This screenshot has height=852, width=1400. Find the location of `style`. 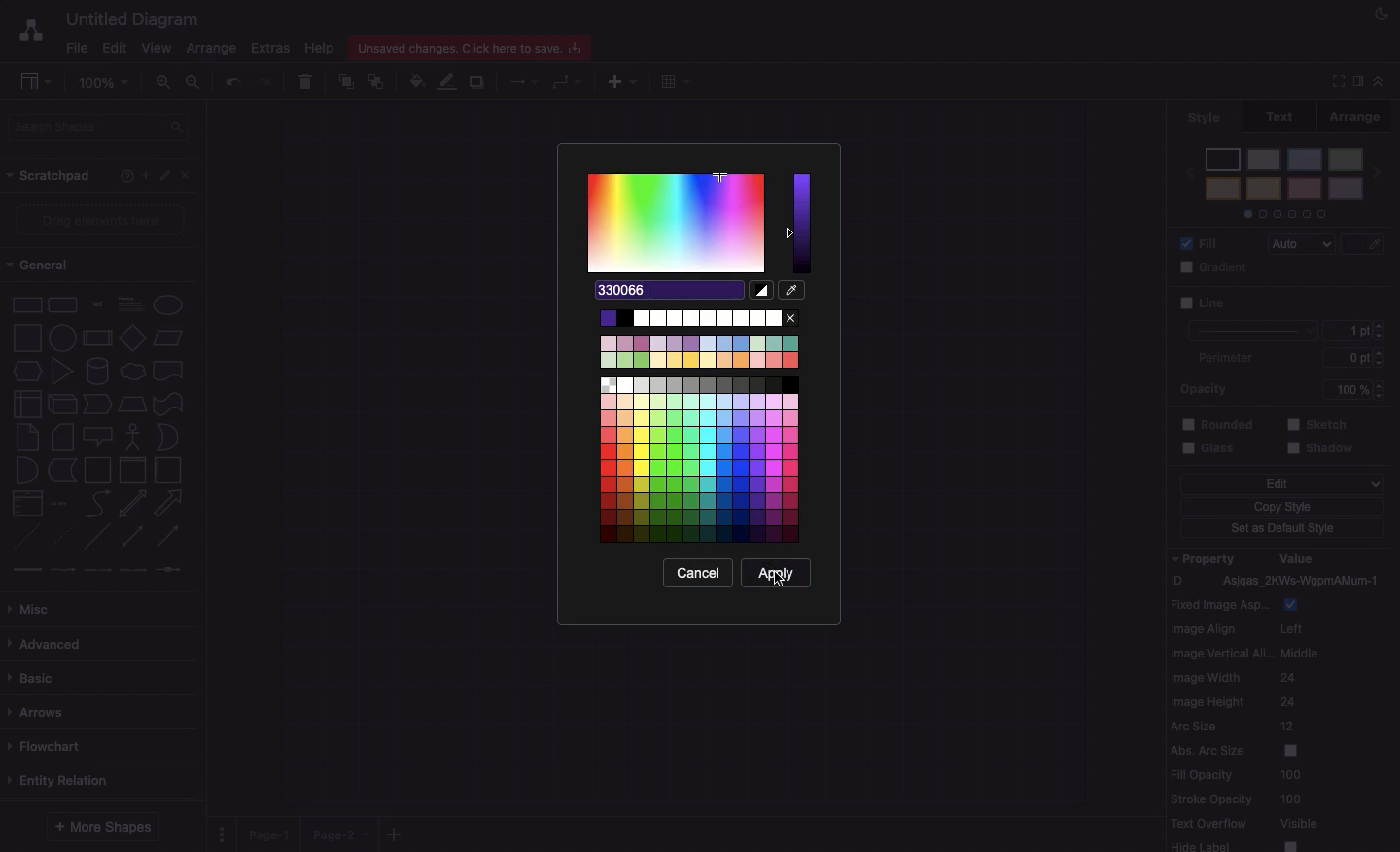

style is located at coordinates (1205, 117).